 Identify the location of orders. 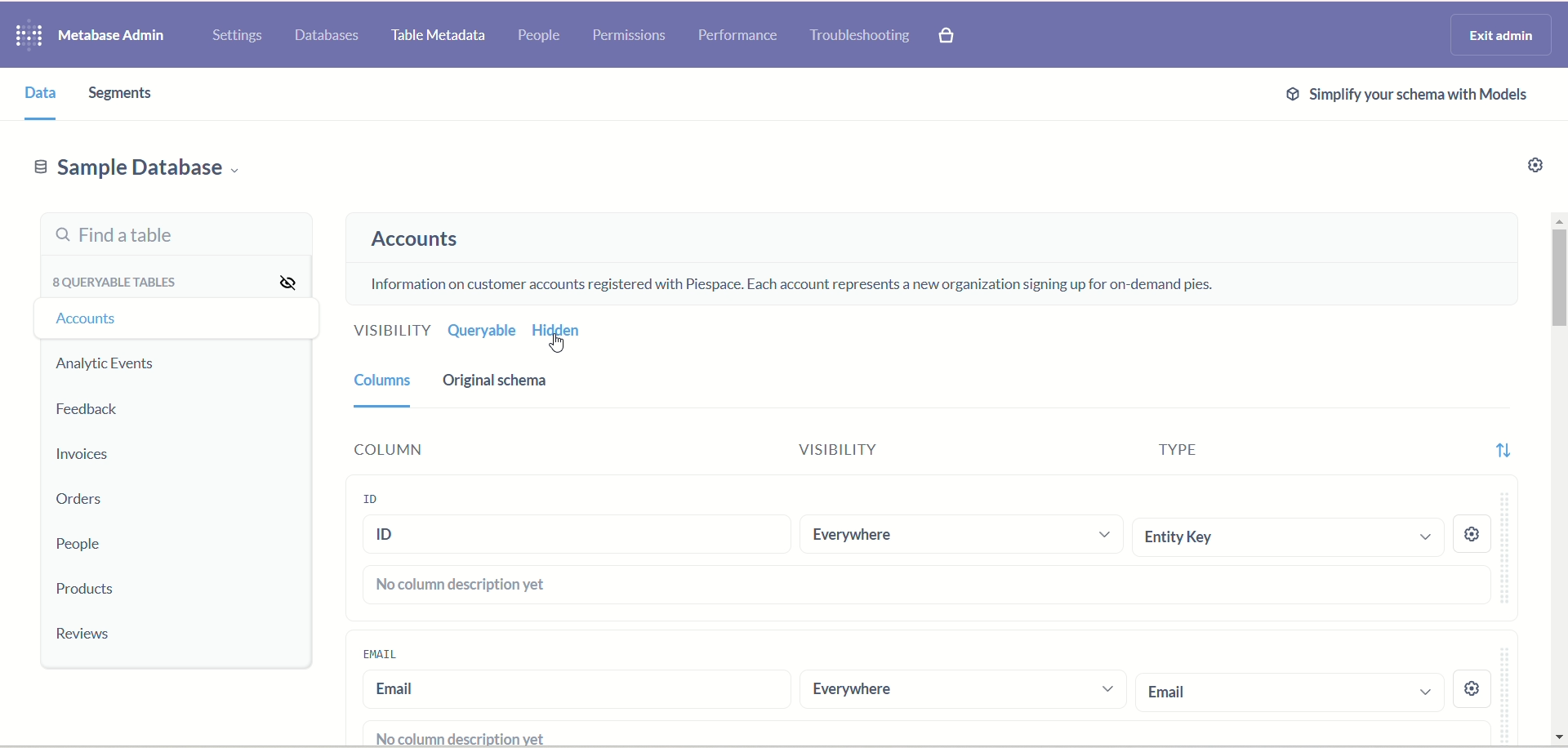
(84, 501).